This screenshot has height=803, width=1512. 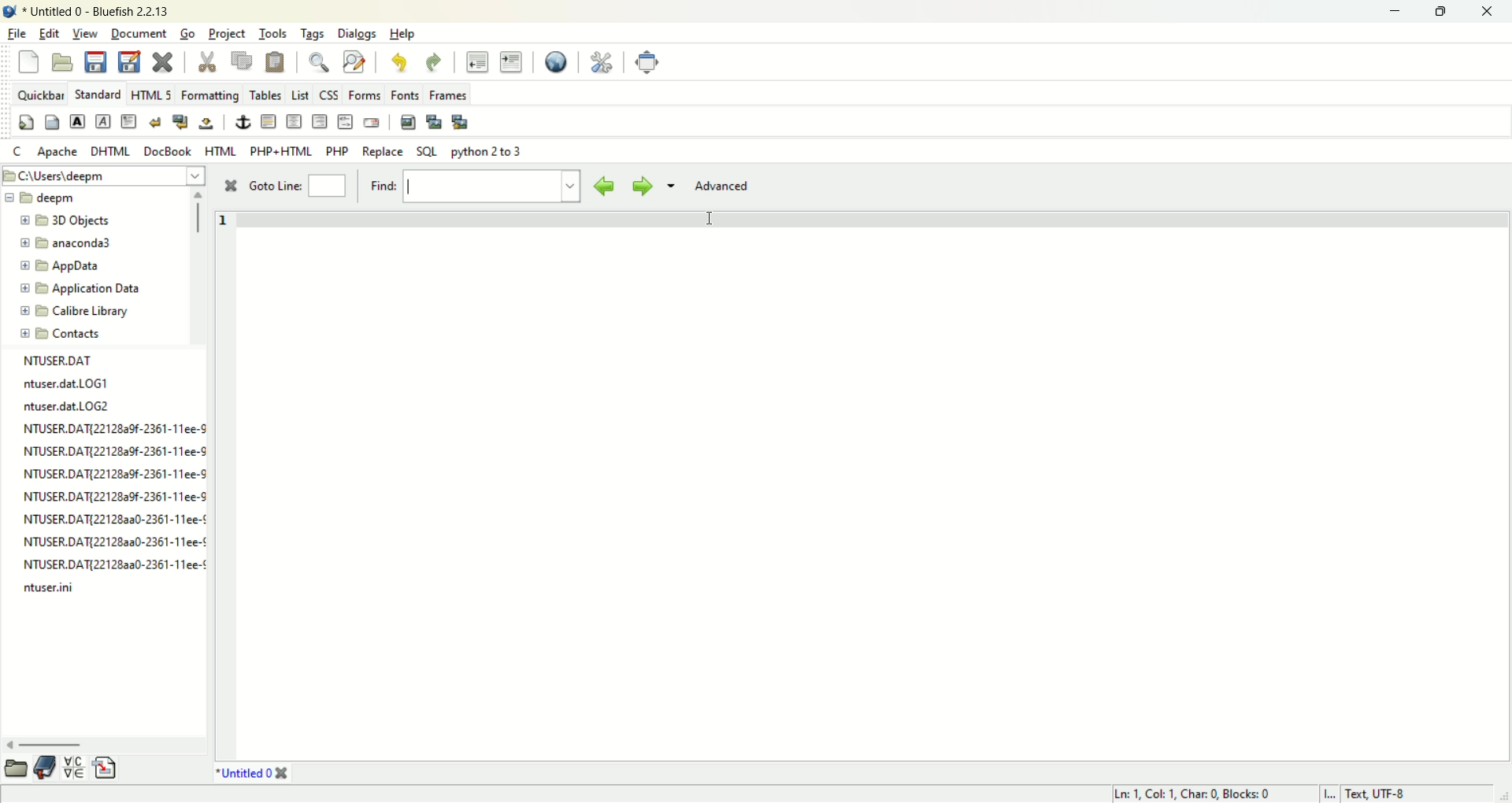 I want to click on go, so click(x=187, y=34).